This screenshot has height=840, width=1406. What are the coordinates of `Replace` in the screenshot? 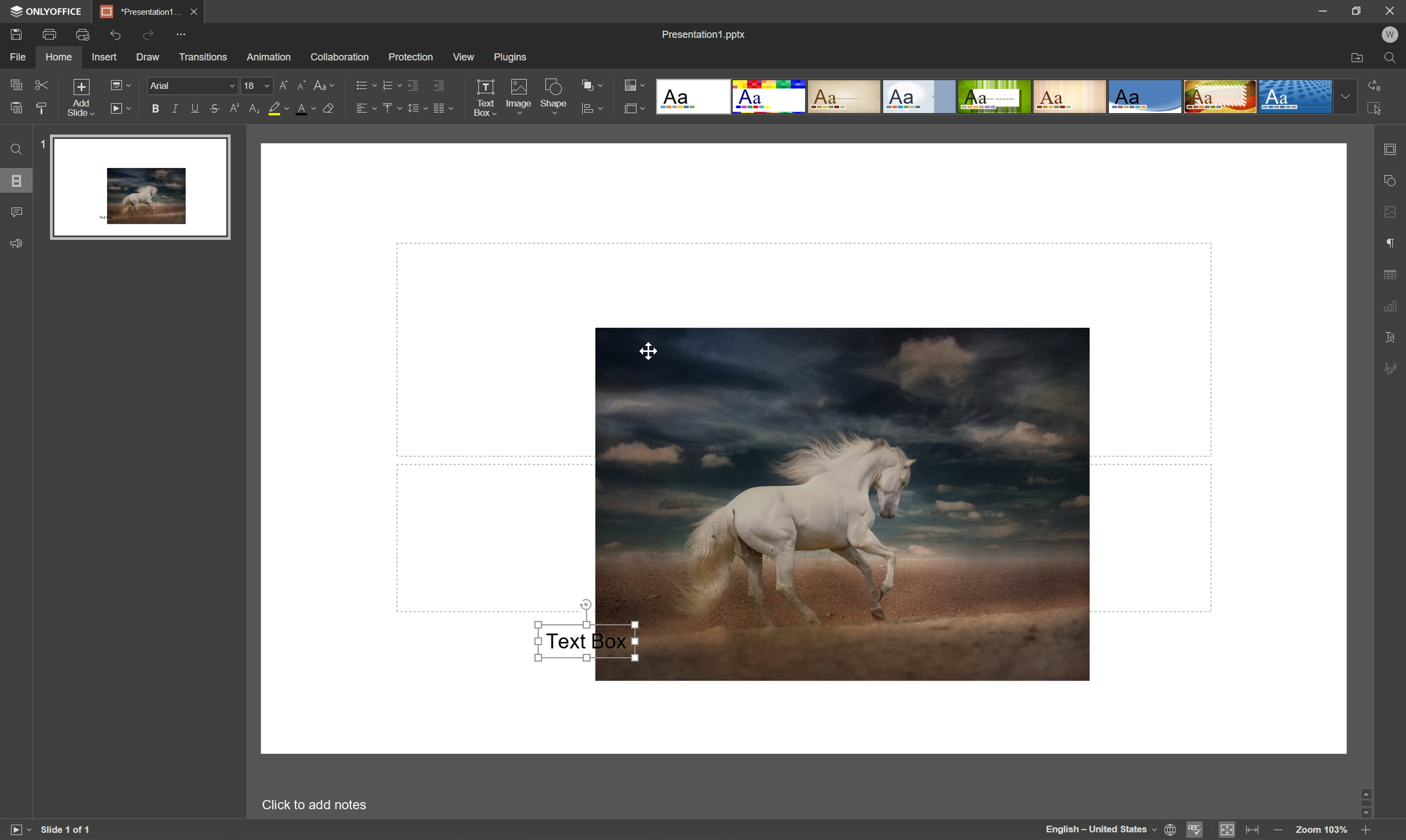 It's located at (1376, 85).